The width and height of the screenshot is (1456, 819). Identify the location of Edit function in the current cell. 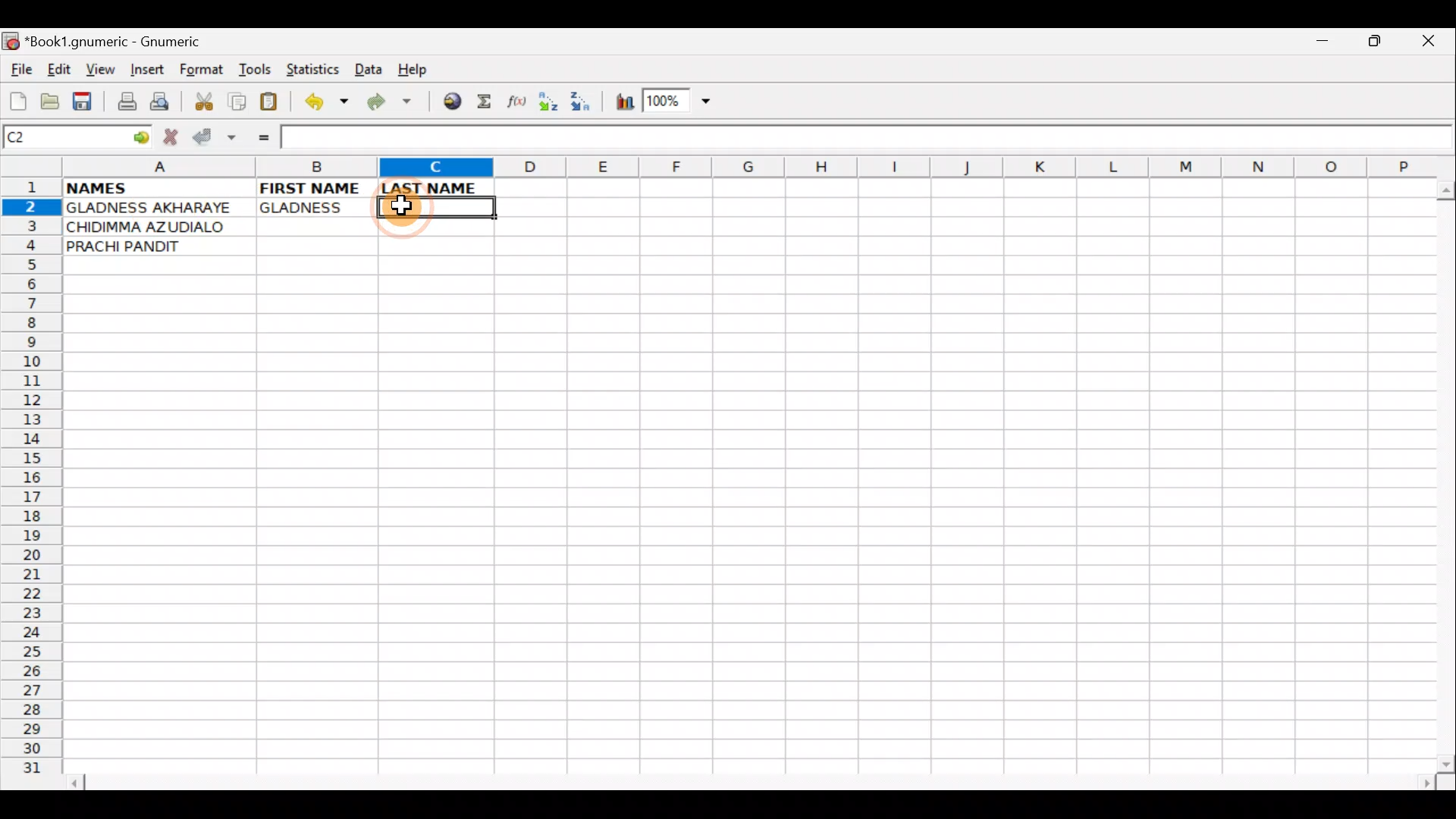
(519, 105).